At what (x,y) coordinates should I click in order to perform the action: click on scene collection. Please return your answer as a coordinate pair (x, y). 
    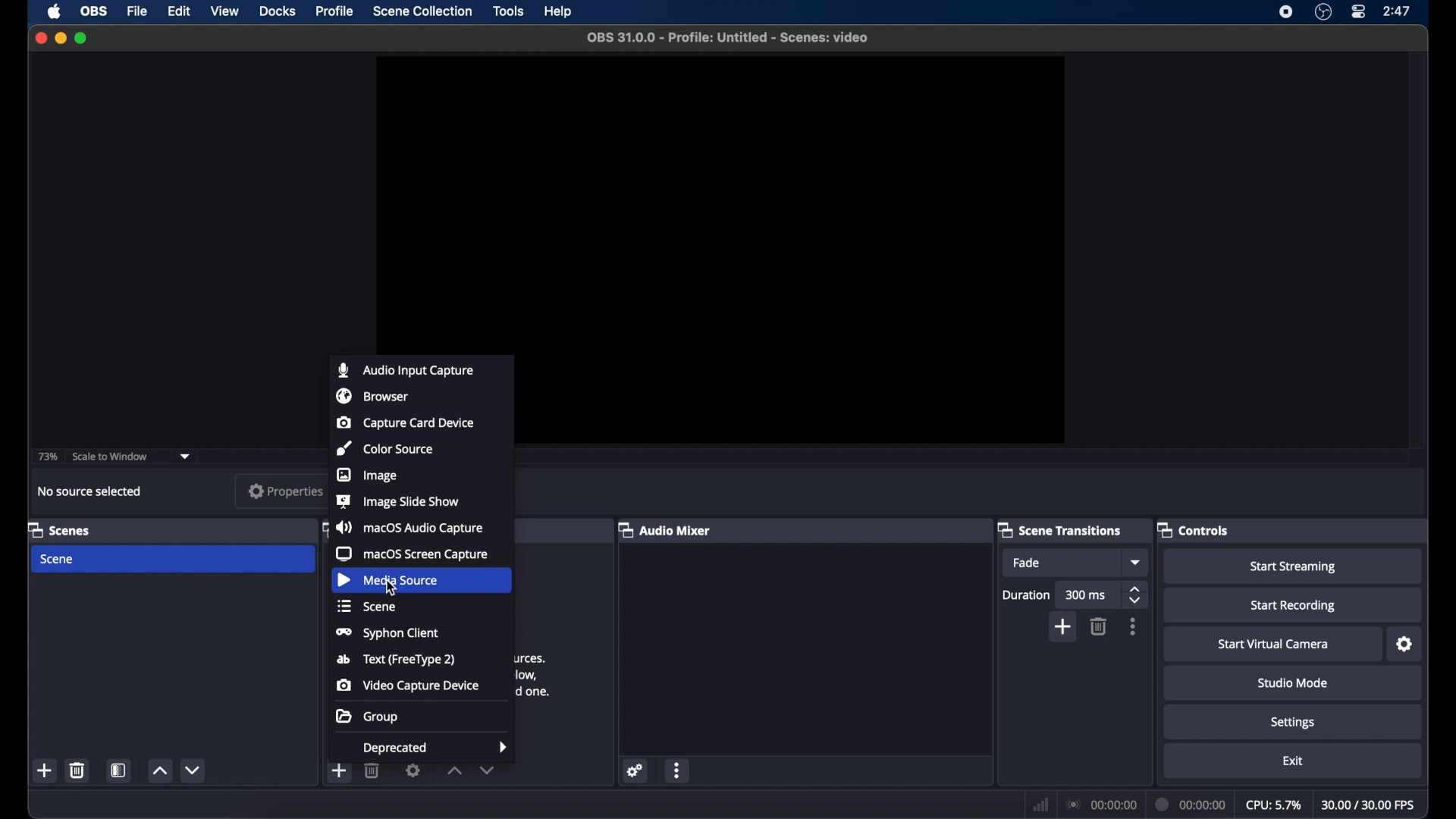
    Looking at the image, I should click on (424, 11).